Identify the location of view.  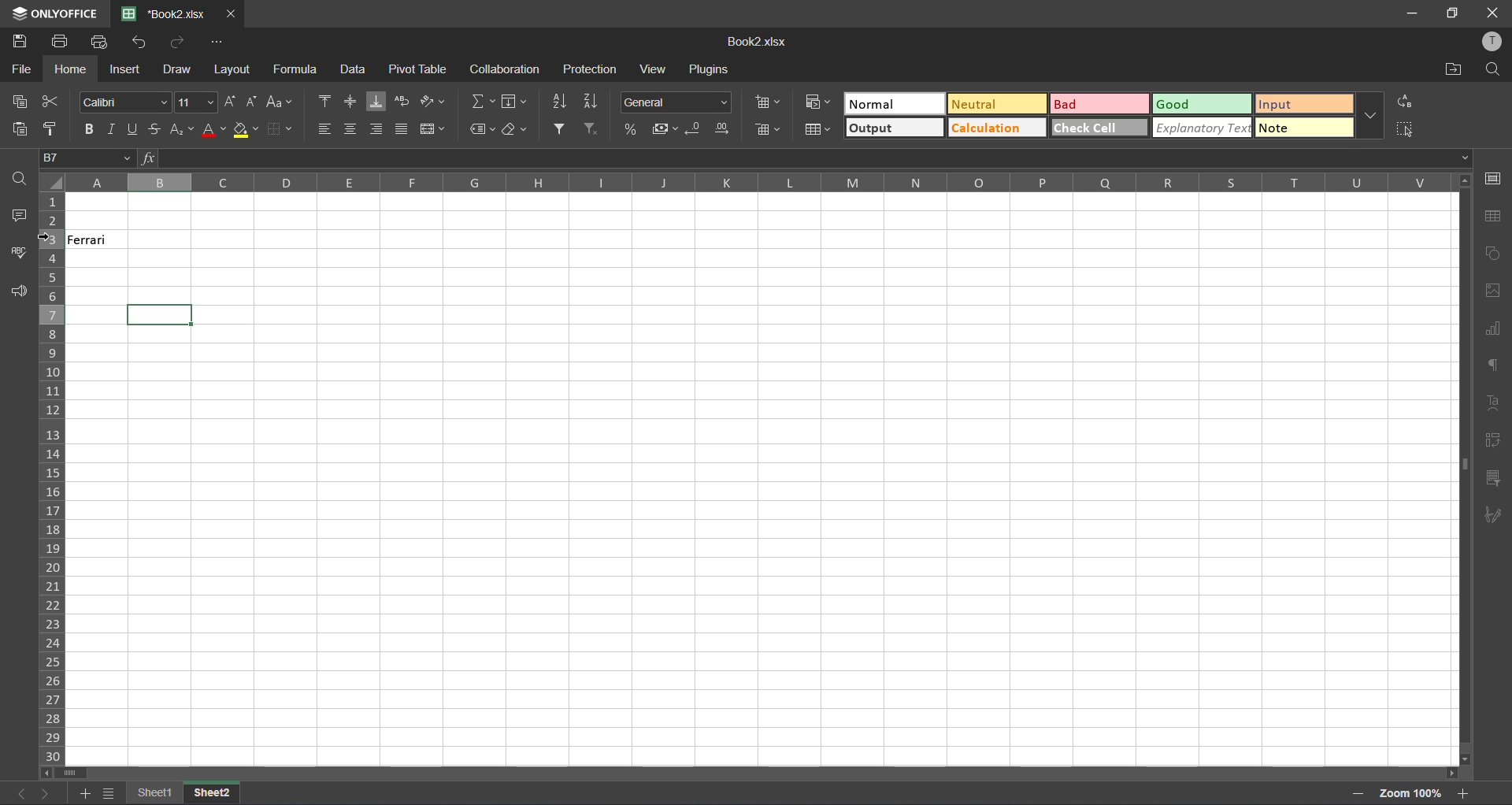
(651, 69).